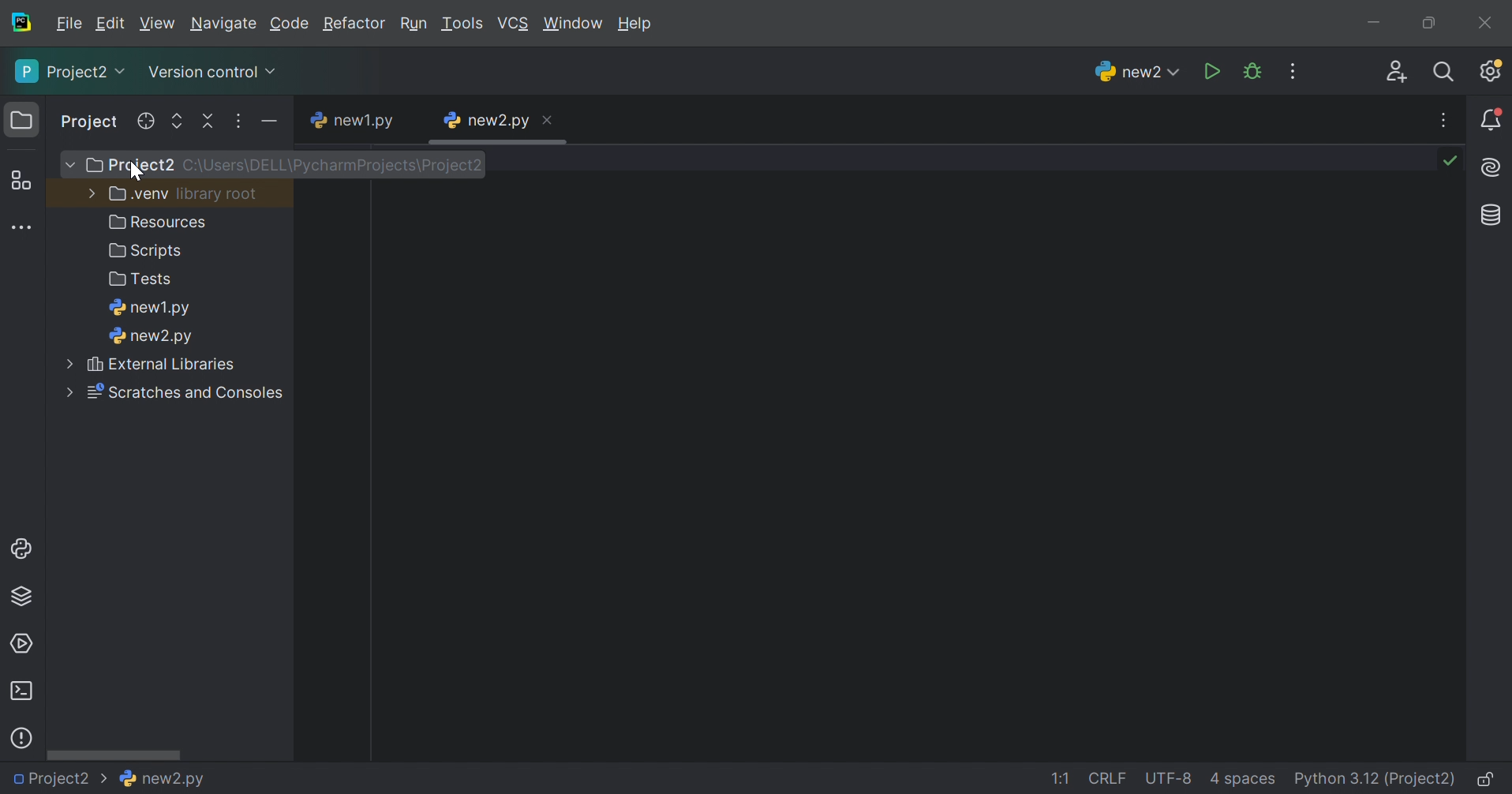  What do you see at coordinates (413, 24) in the screenshot?
I see `Run` at bounding box center [413, 24].